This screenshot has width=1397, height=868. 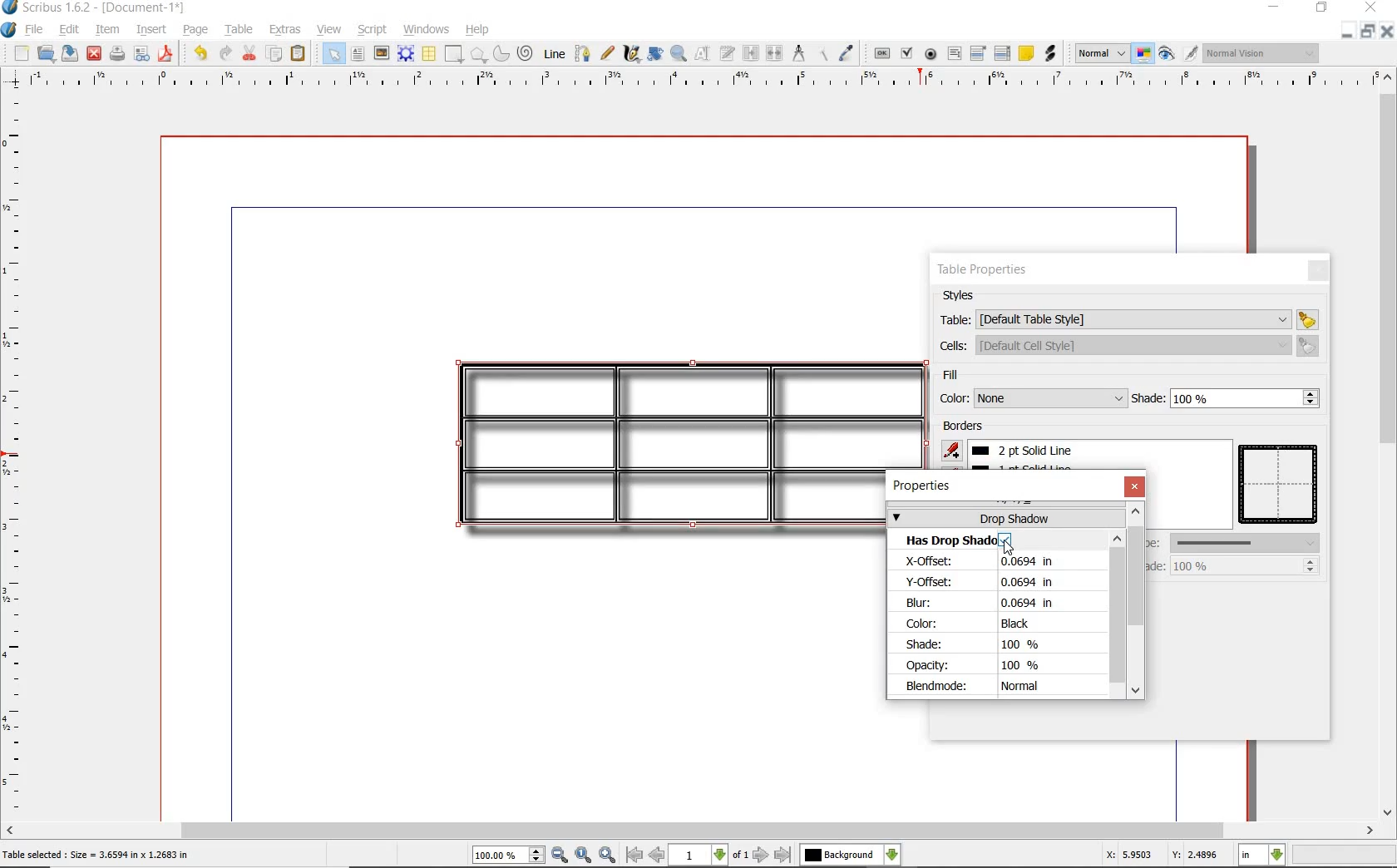 What do you see at coordinates (1389, 442) in the screenshot?
I see `scrollbar` at bounding box center [1389, 442].